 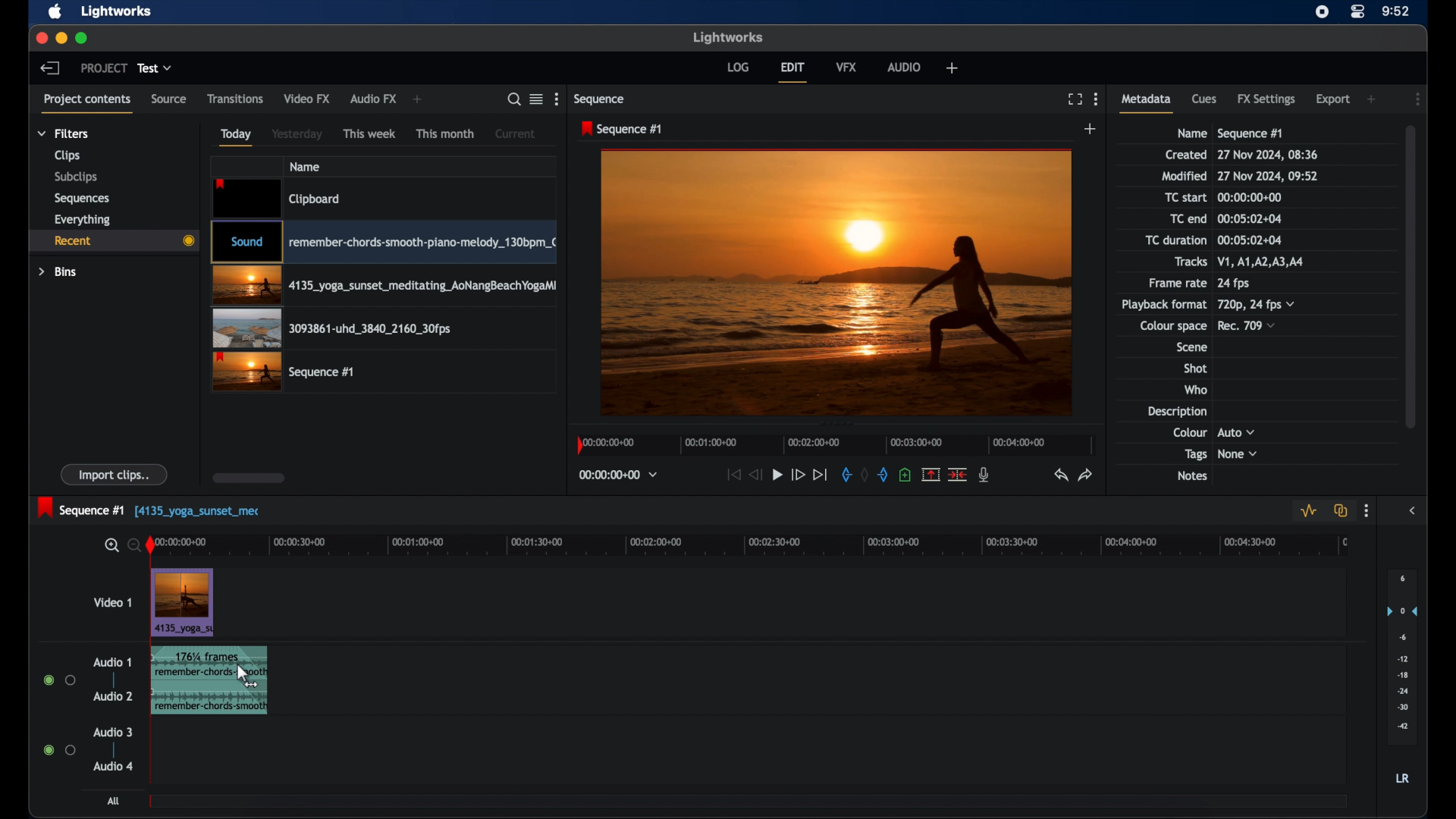 What do you see at coordinates (821, 475) in the screenshot?
I see `jump to end` at bounding box center [821, 475].